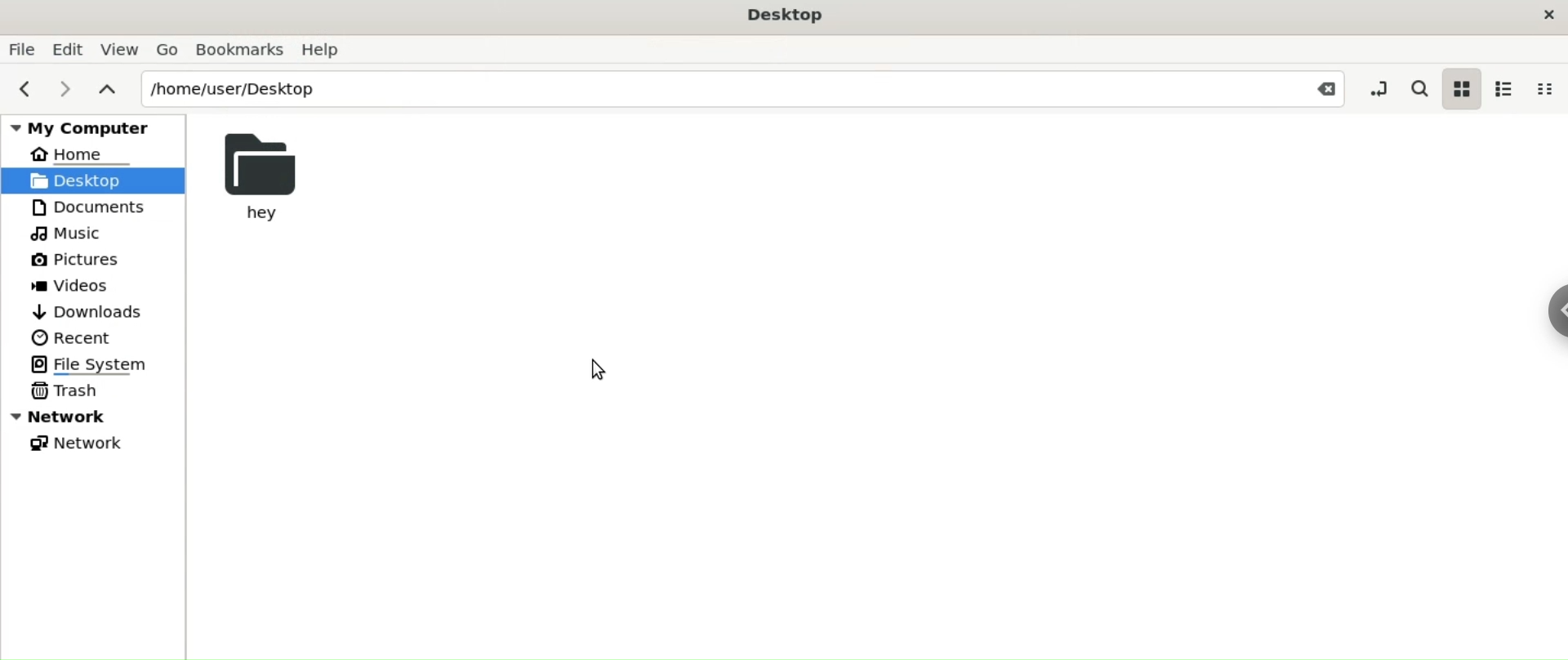 The image size is (1568, 660). I want to click on Music, so click(69, 233).